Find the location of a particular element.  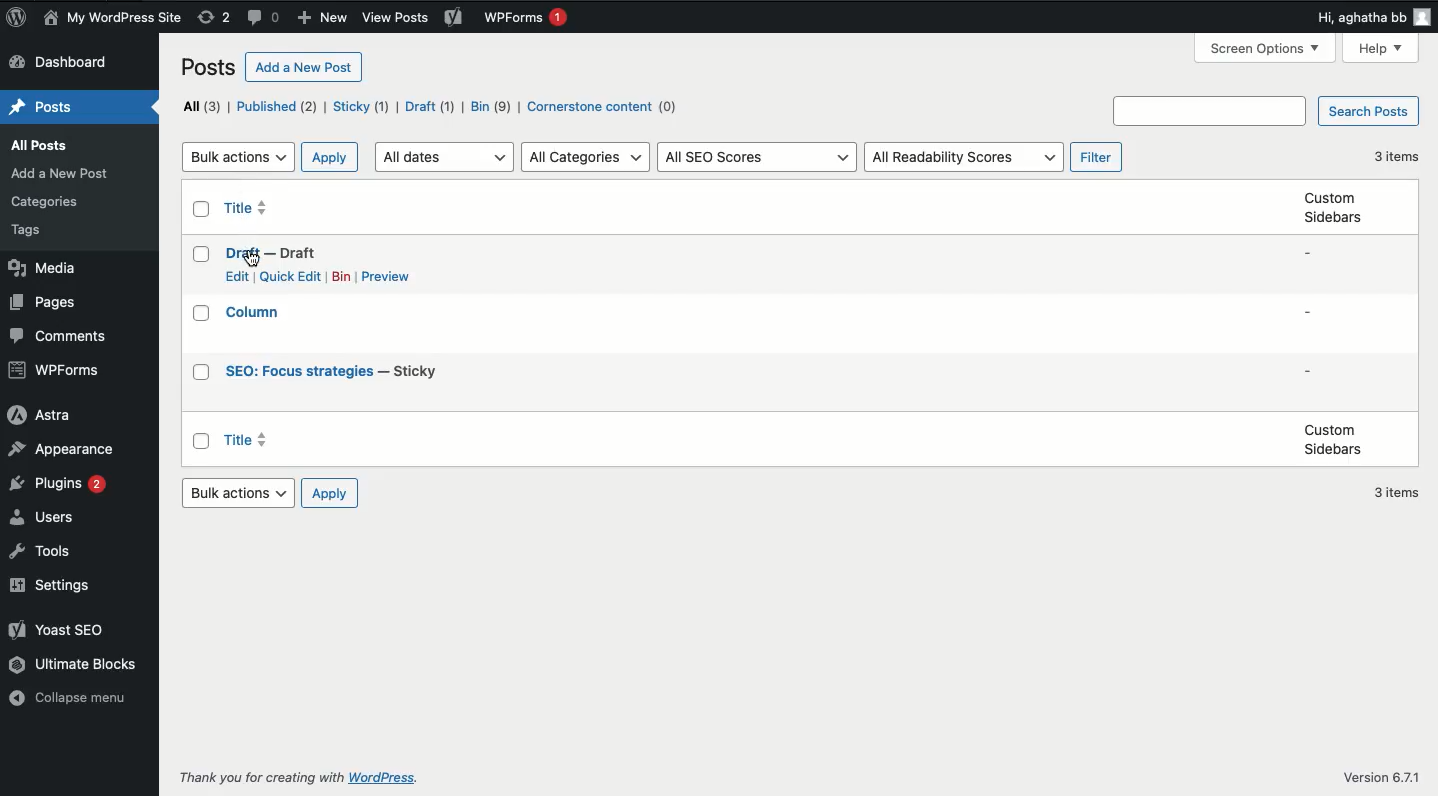

Sticky is located at coordinates (364, 106).